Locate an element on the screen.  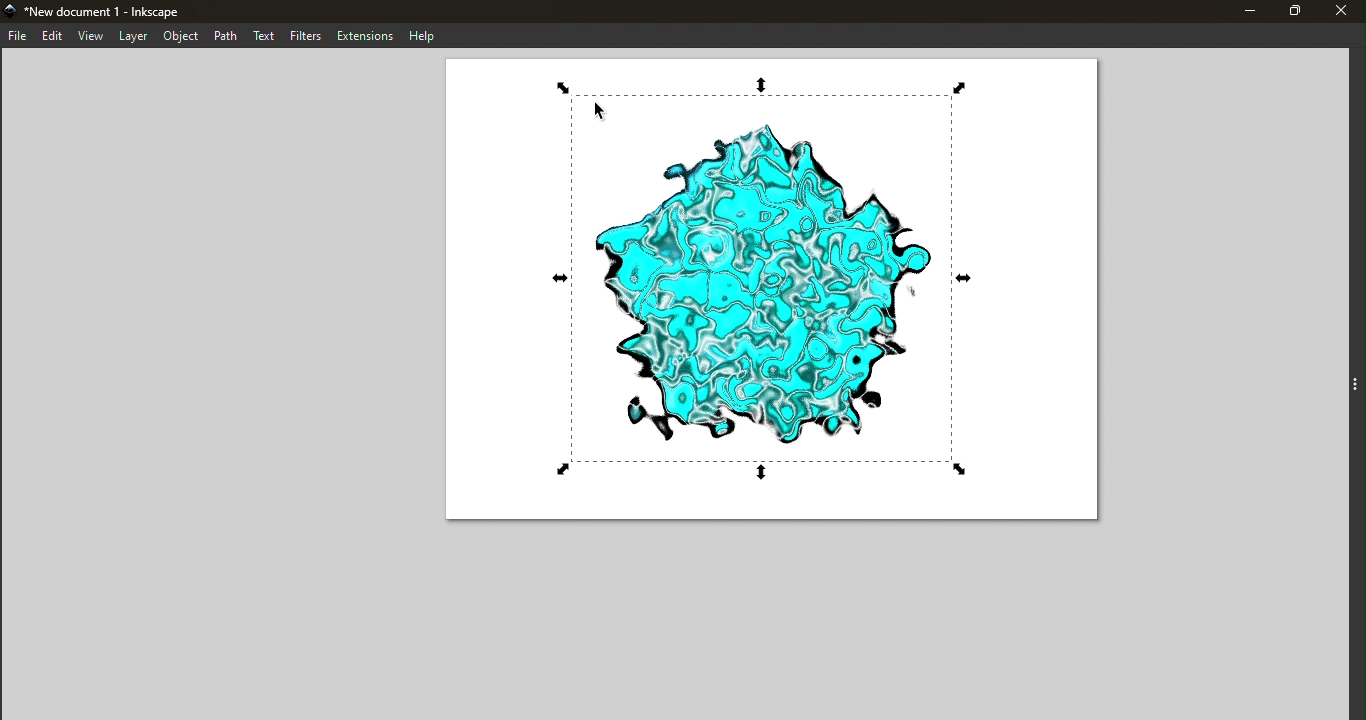
Filters is located at coordinates (308, 36).